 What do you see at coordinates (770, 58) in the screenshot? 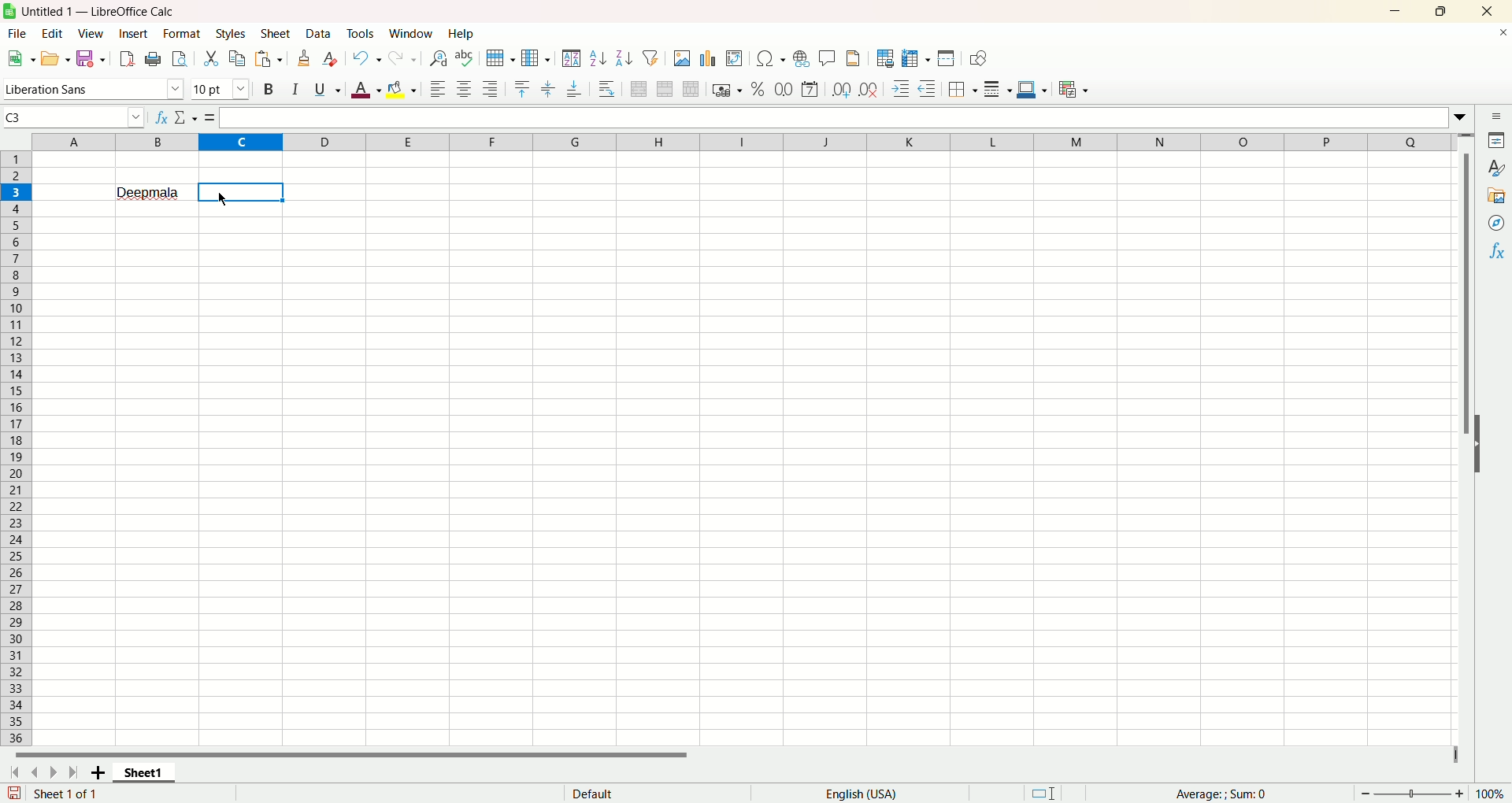
I see `Insert symbols` at bounding box center [770, 58].